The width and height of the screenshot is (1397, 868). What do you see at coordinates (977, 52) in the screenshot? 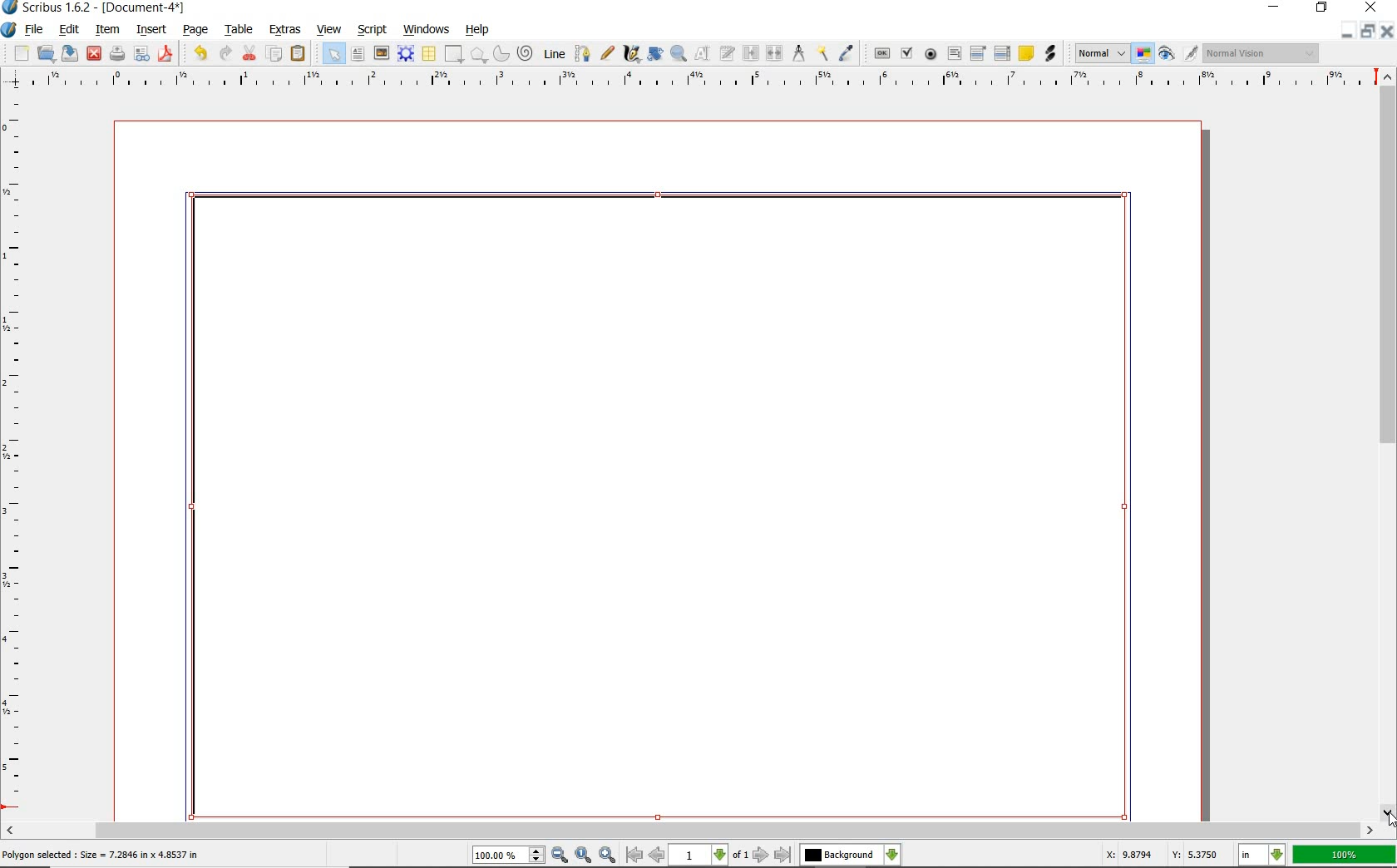
I see `pdf combo box` at bounding box center [977, 52].